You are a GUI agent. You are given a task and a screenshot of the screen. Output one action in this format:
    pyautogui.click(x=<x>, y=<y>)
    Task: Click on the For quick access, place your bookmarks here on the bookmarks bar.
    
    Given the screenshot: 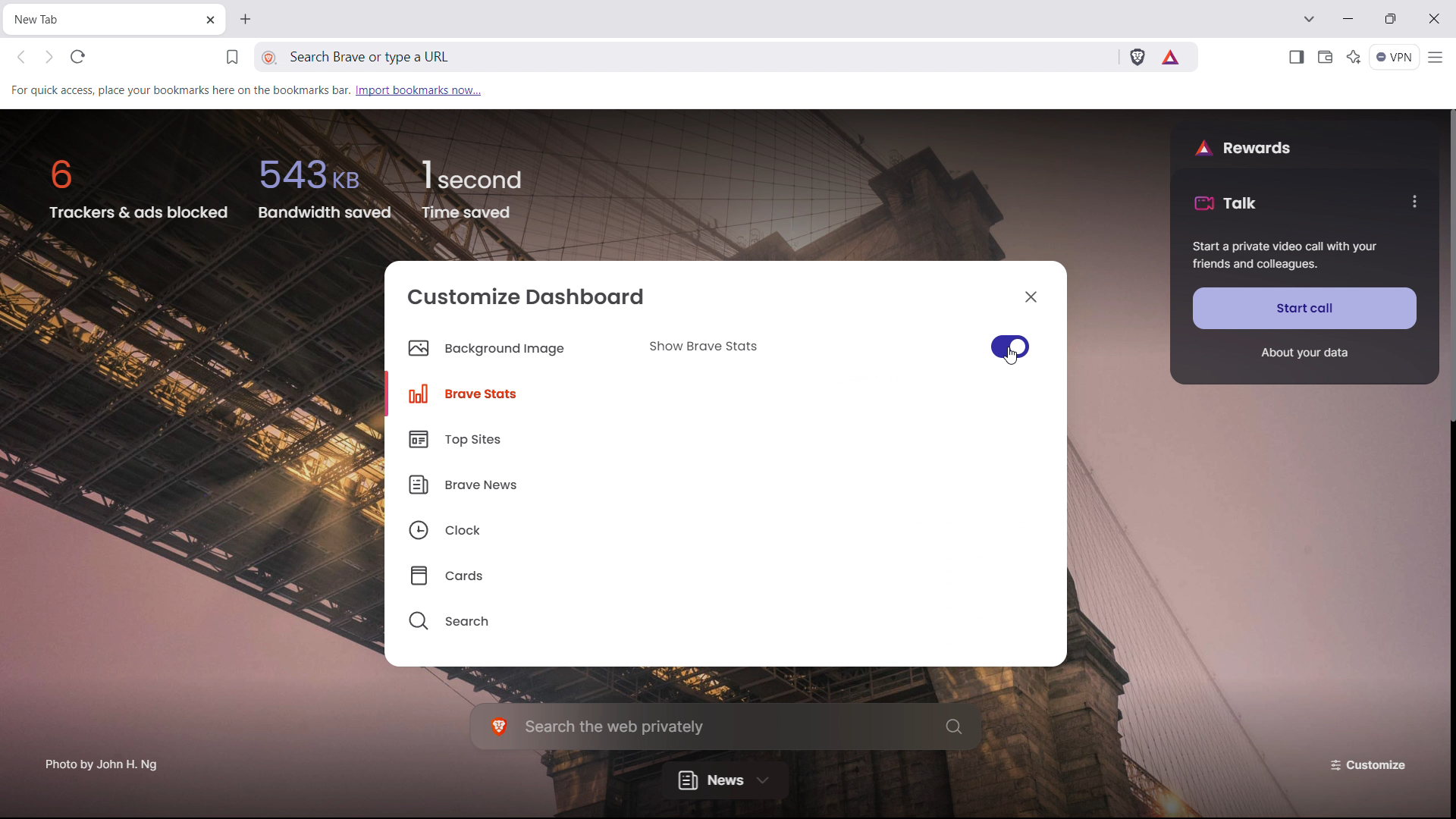 What is the action you would take?
    pyautogui.click(x=178, y=89)
    